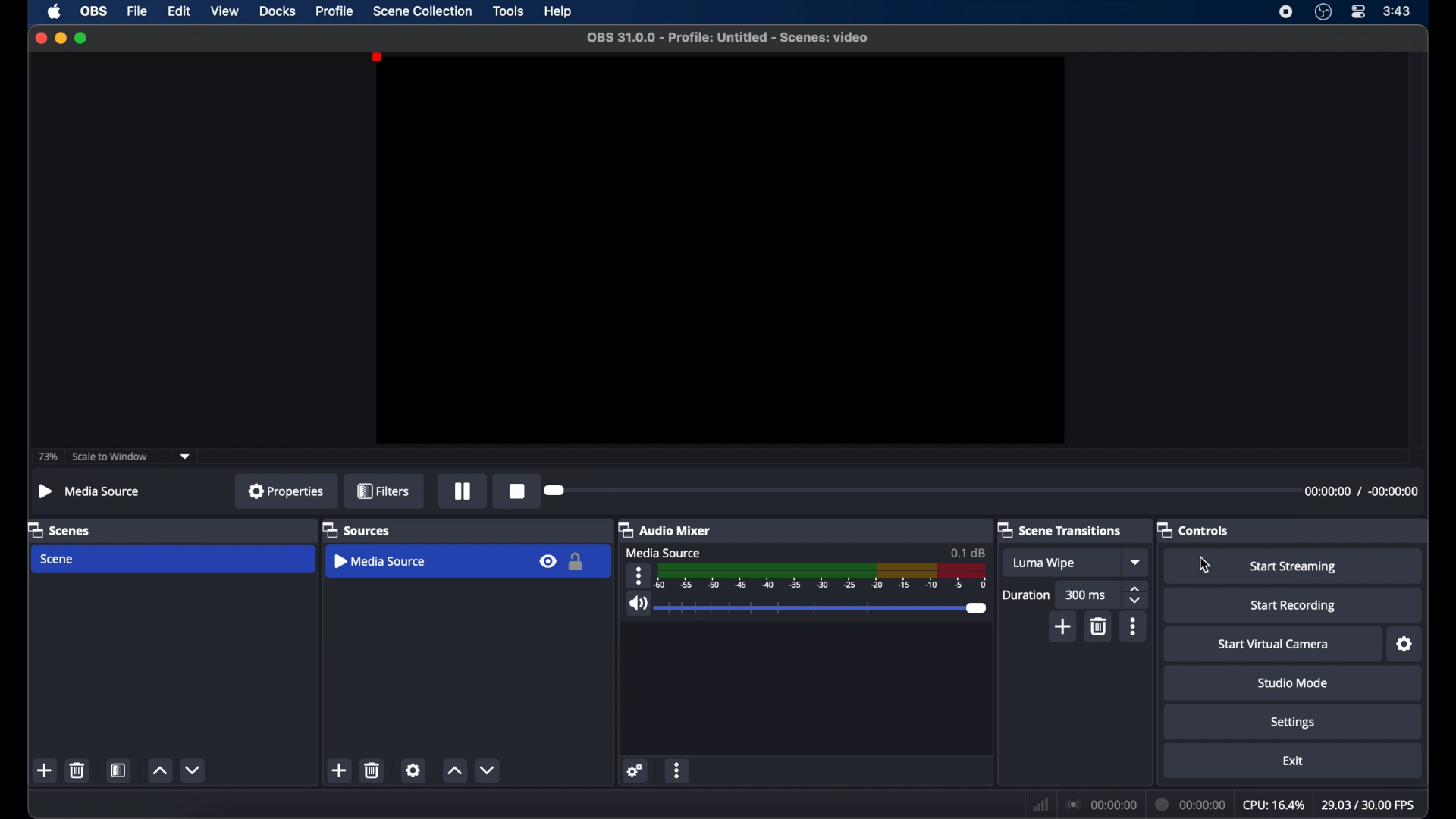 This screenshot has height=819, width=1456. Describe the element at coordinates (60, 37) in the screenshot. I see `minimize` at that location.